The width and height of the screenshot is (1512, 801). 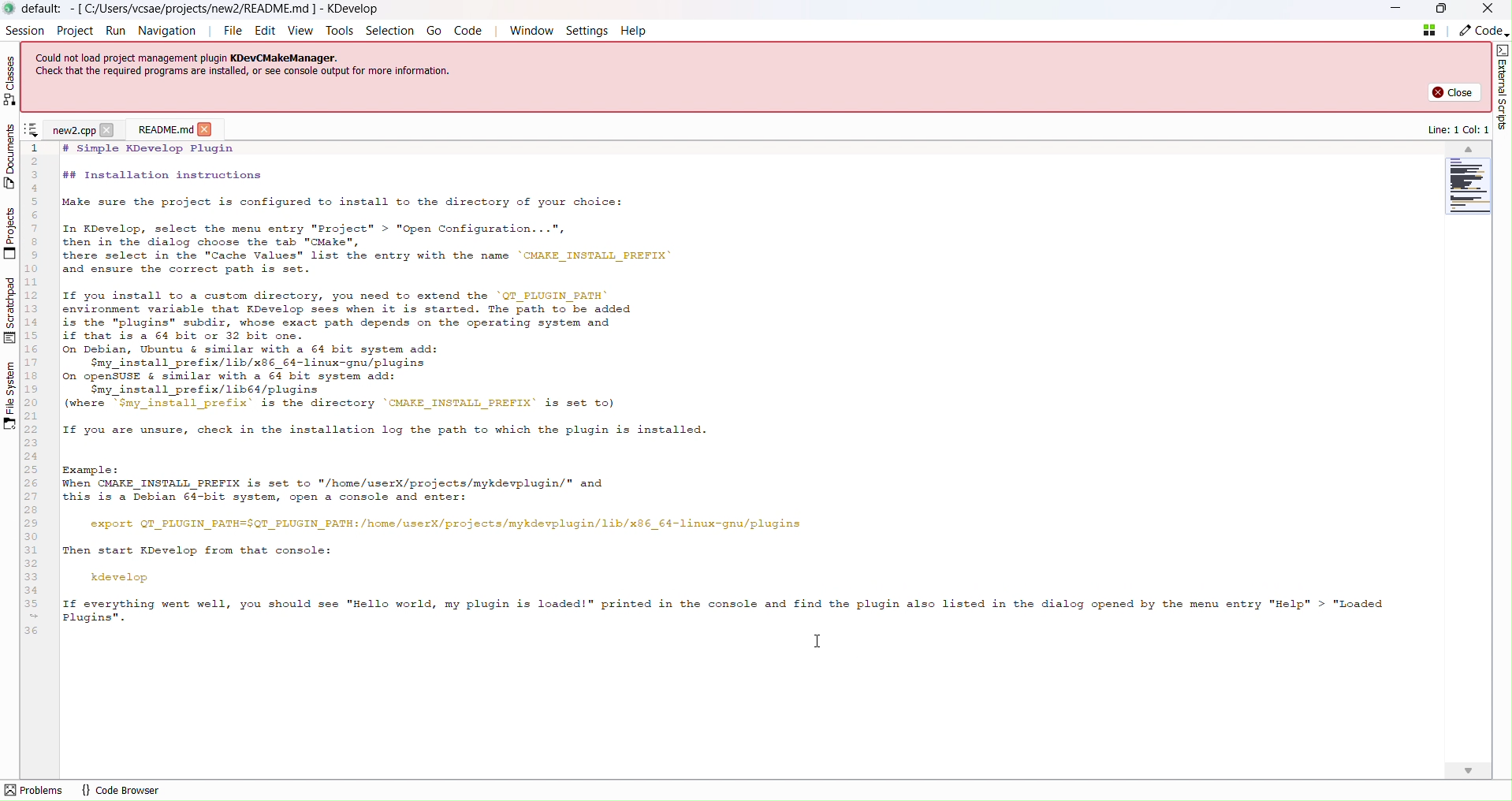 I want to click on Settings, so click(x=589, y=30).